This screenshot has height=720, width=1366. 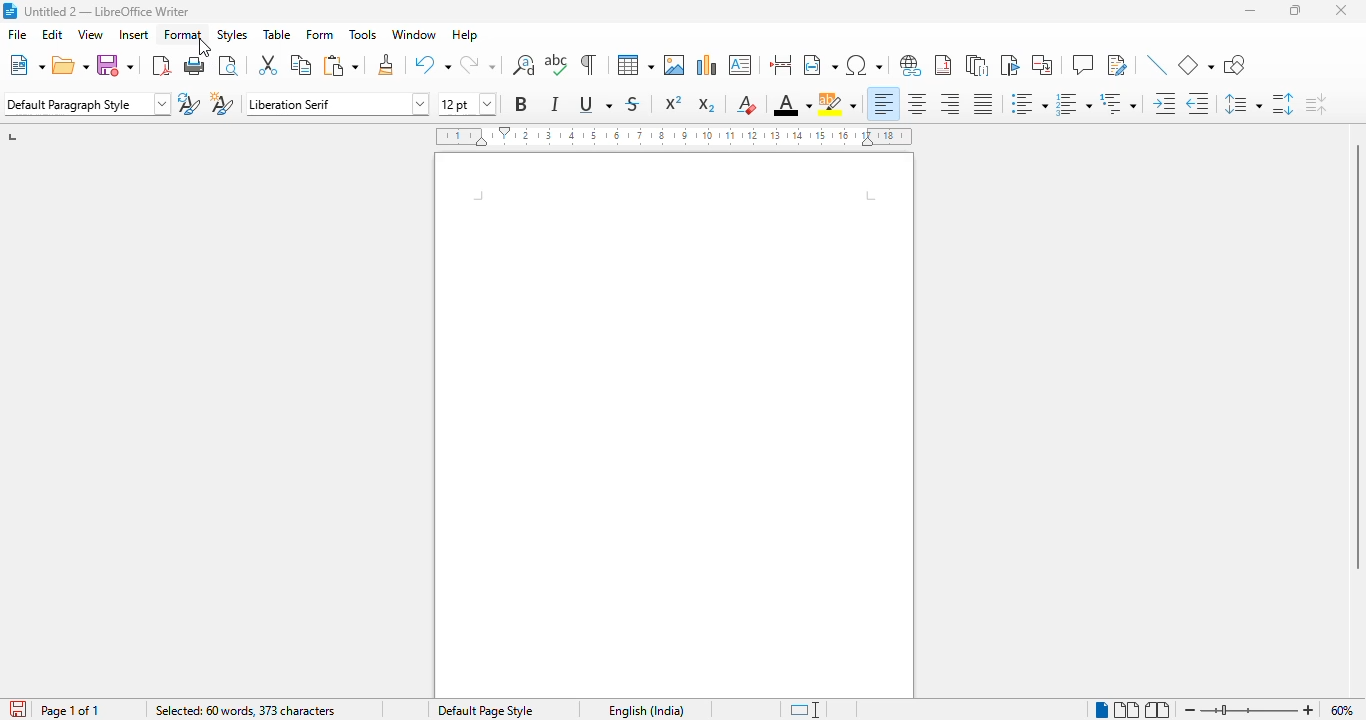 I want to click on help, so click(x=465, y=35).